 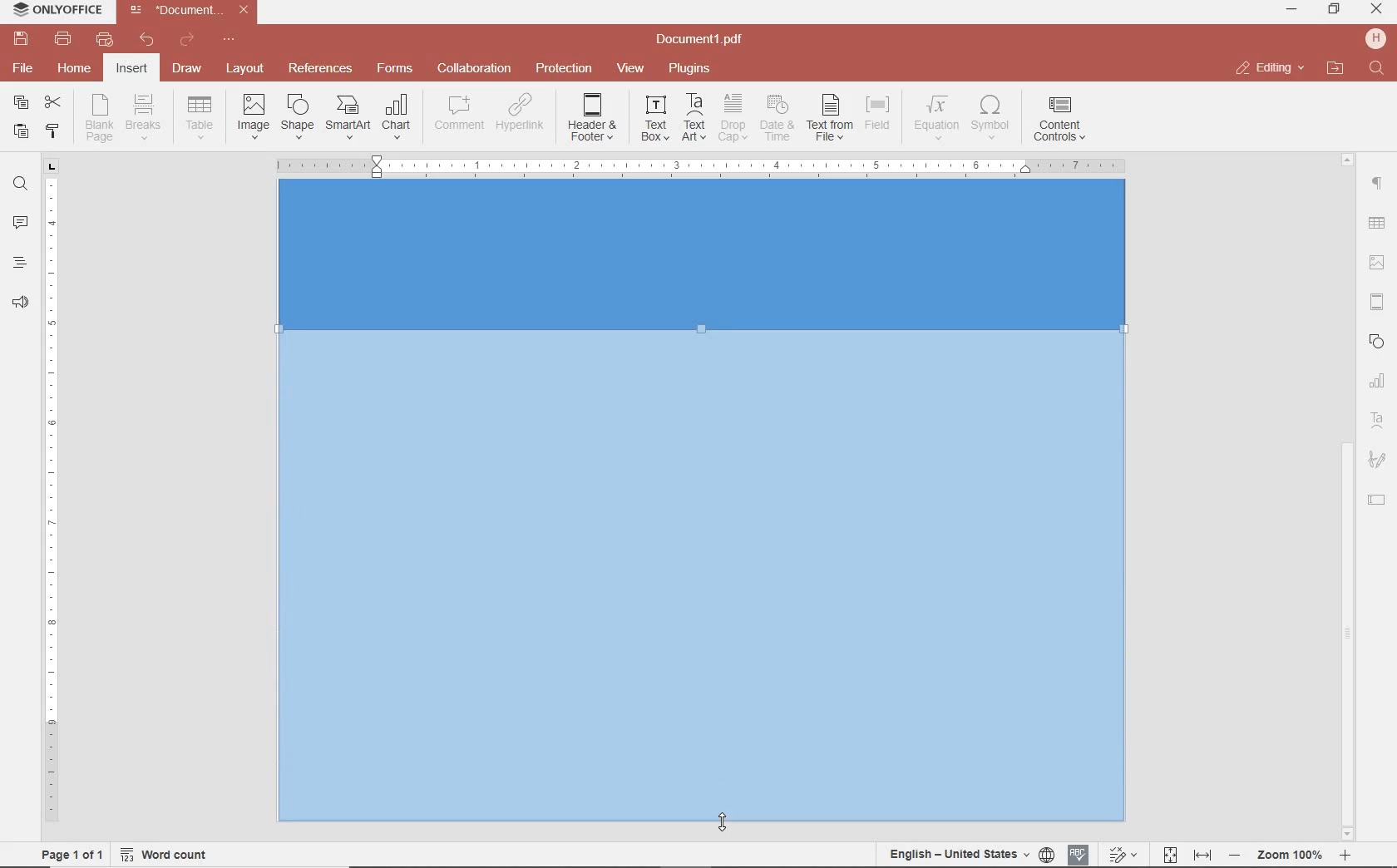 What do you see at coordinates (72, 67) in the screenshot?
I see `home` at bounding box center [72, 67].